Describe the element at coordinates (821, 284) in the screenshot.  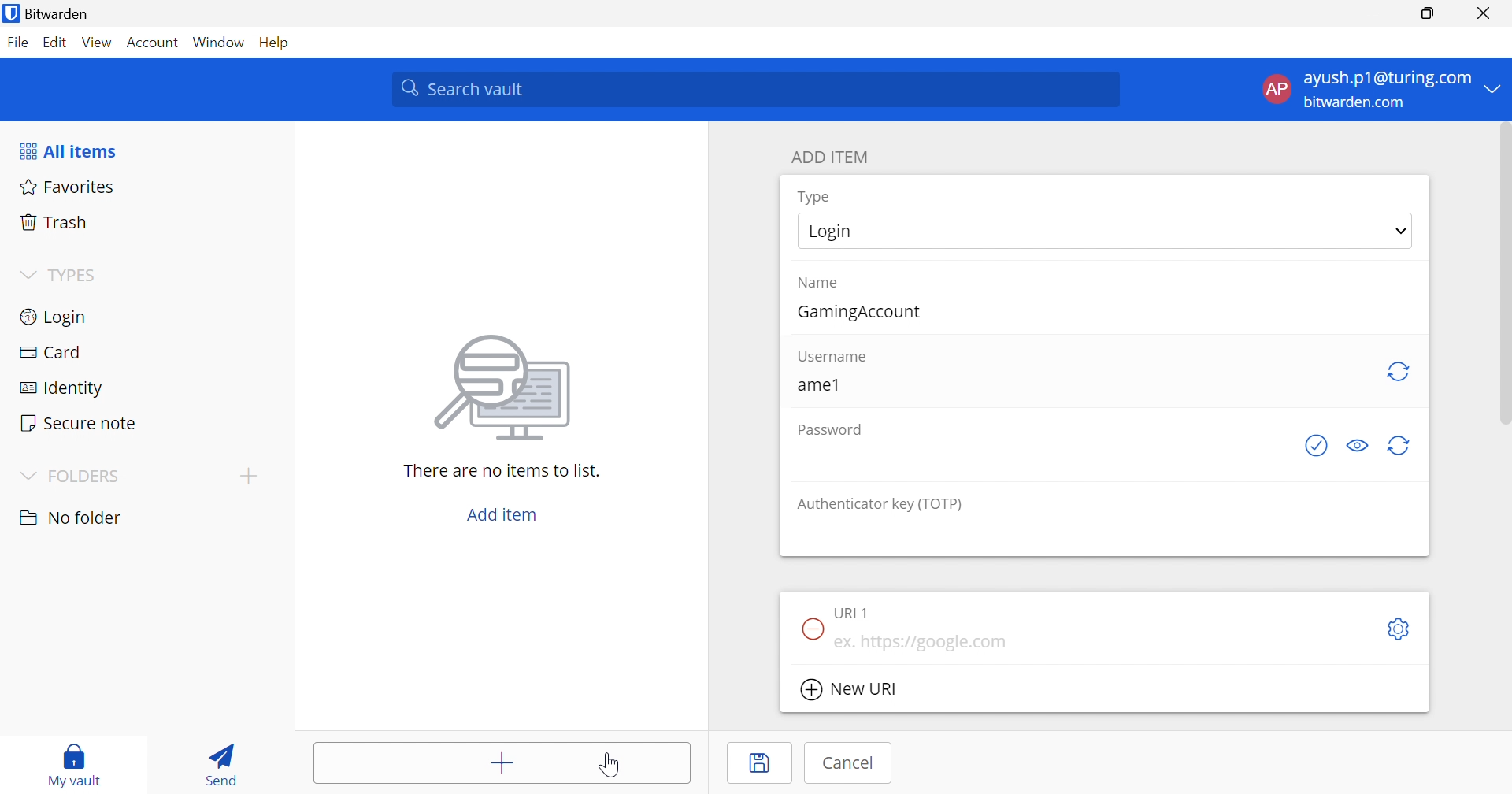
I see `Name` at that location.